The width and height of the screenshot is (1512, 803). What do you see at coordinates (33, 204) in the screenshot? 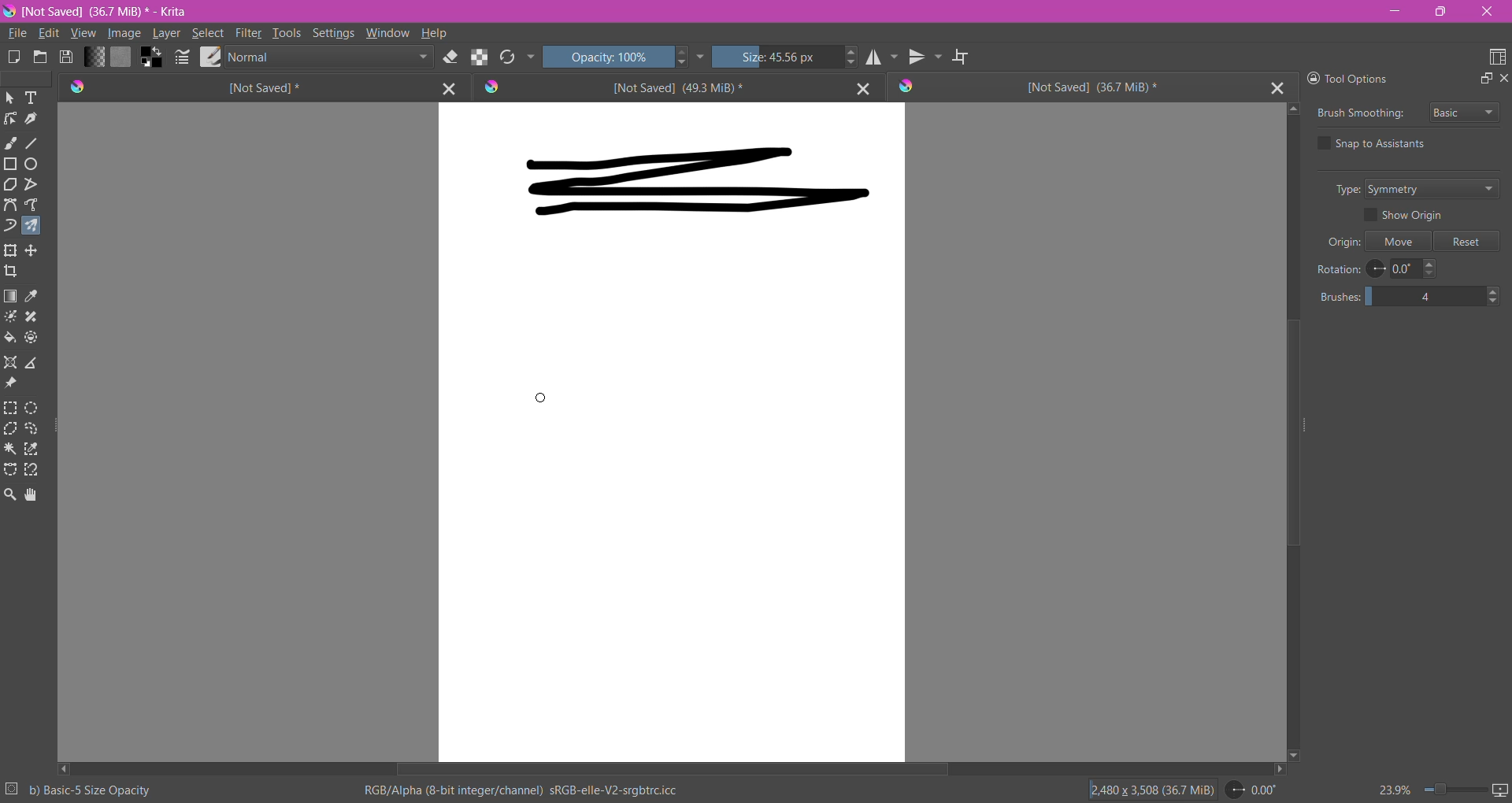
I see `Freehand Path Tool` at bounding box center [33, 204].